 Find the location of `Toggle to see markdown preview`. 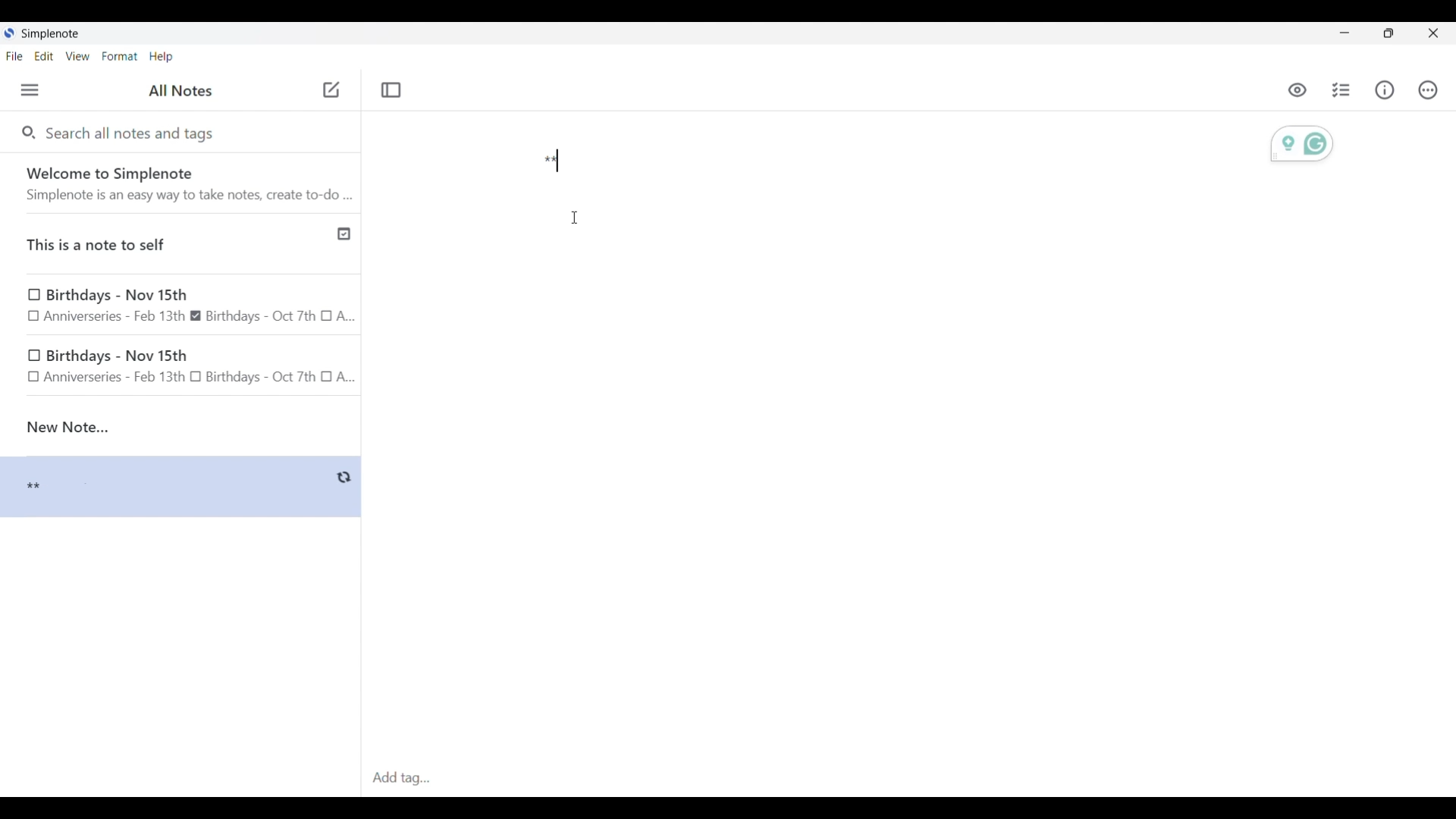

Toggle to see markdown preview is located at coordinates (1298, 90).